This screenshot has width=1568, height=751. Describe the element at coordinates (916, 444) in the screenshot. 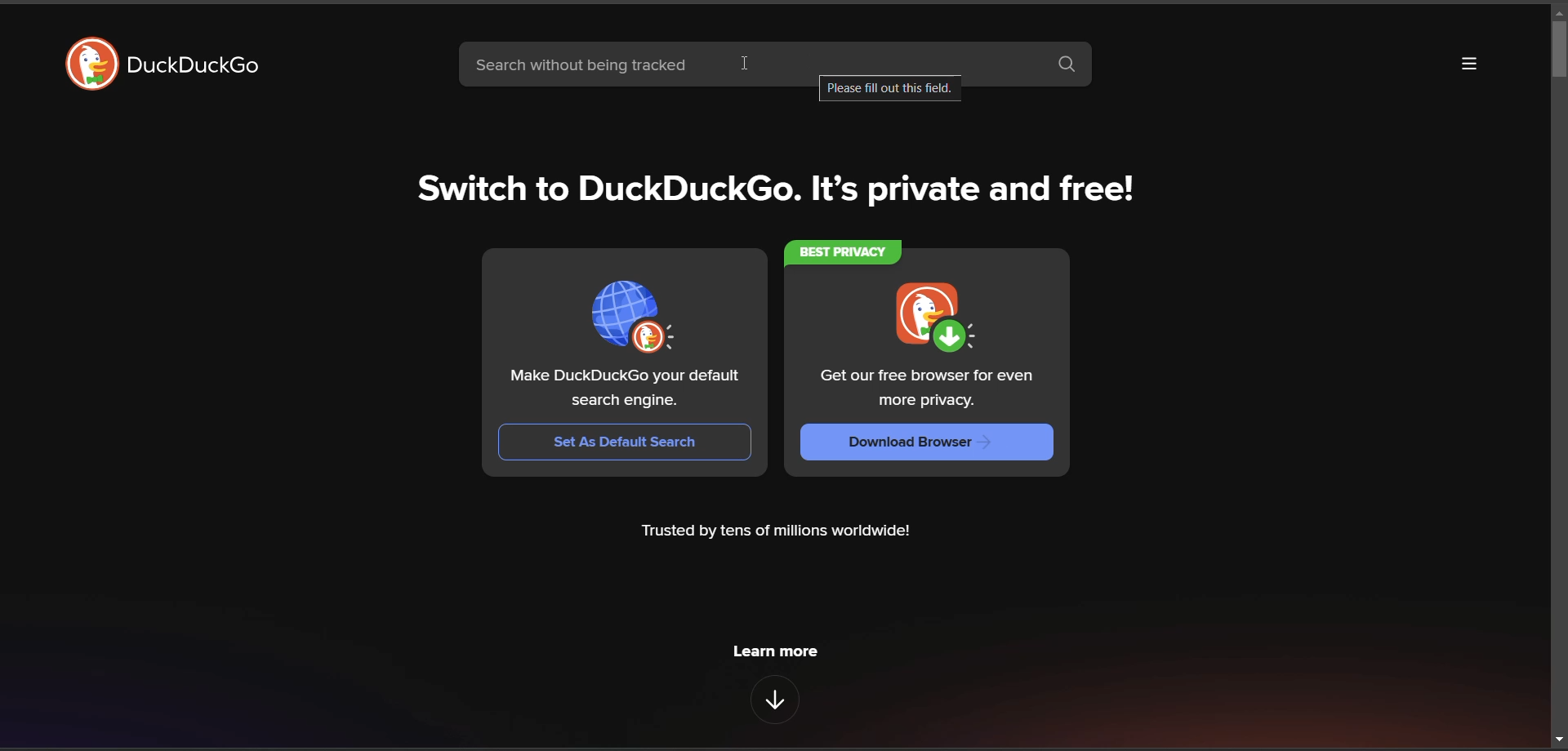

I see `download browser` at that location.